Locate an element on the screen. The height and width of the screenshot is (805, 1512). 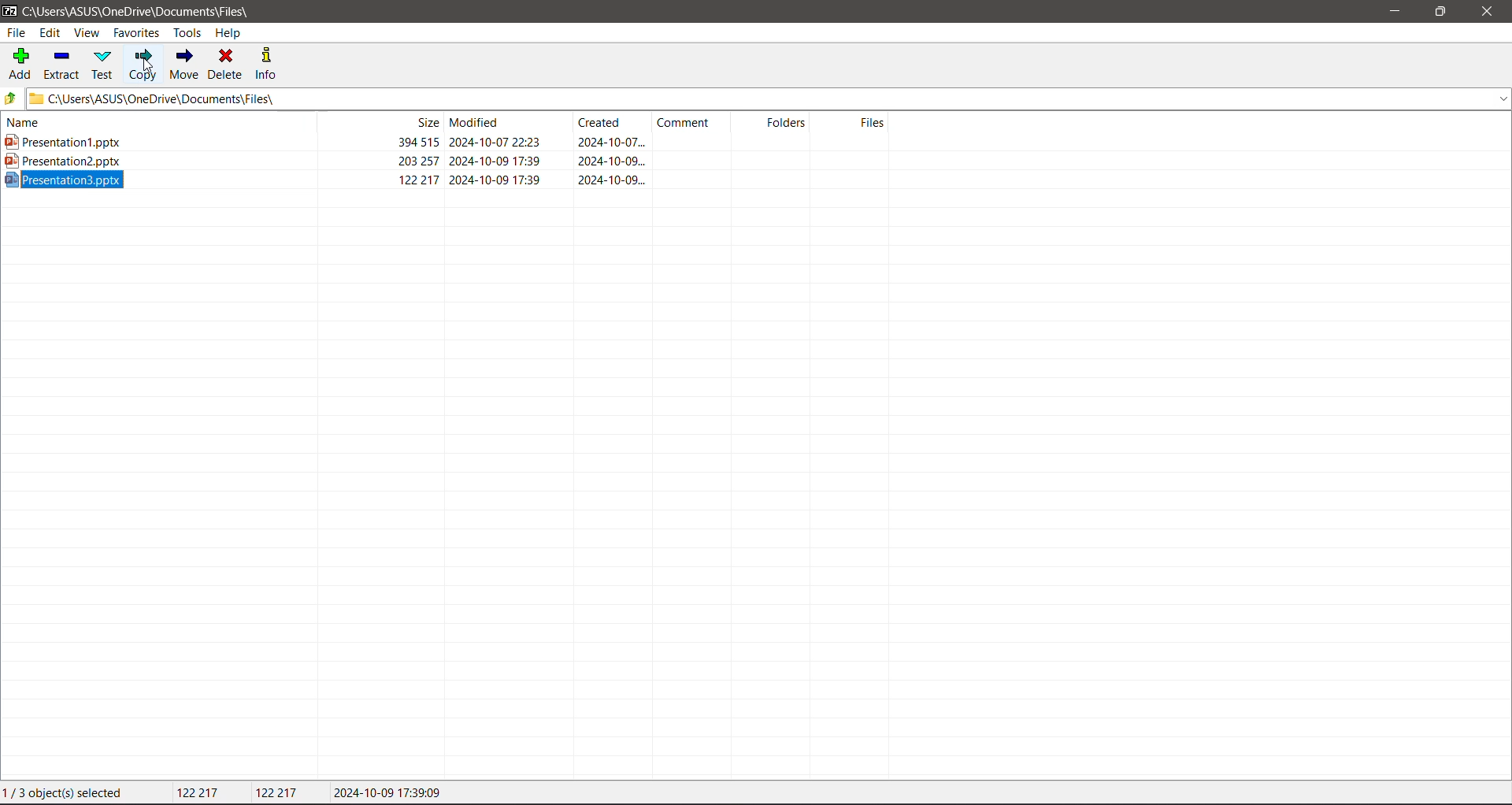
Delete is located at coordinates (228, 65).